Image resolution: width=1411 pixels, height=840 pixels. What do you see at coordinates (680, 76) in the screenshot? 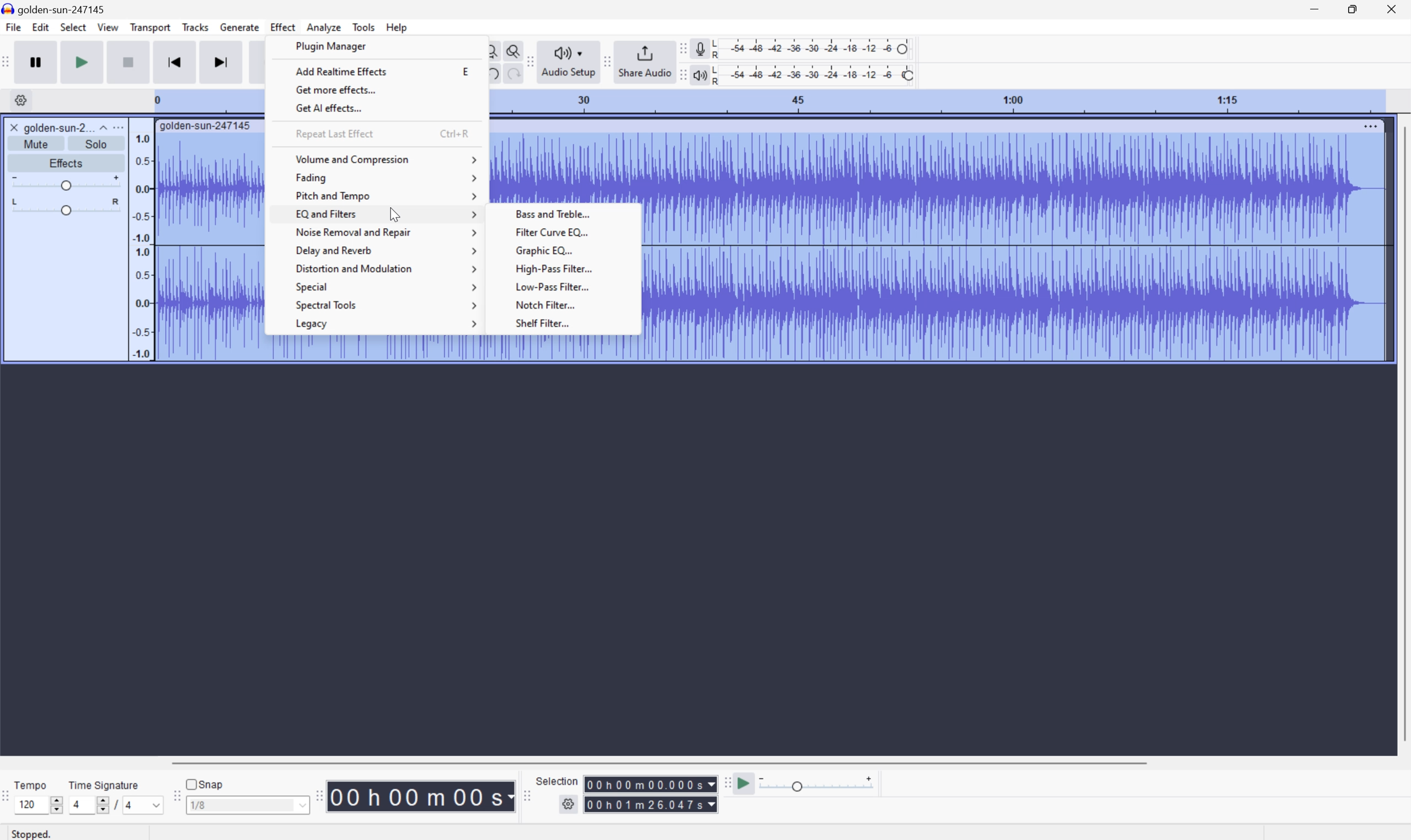
I see `Audacity playback meter toolbar` at bounding box center [680, 76].